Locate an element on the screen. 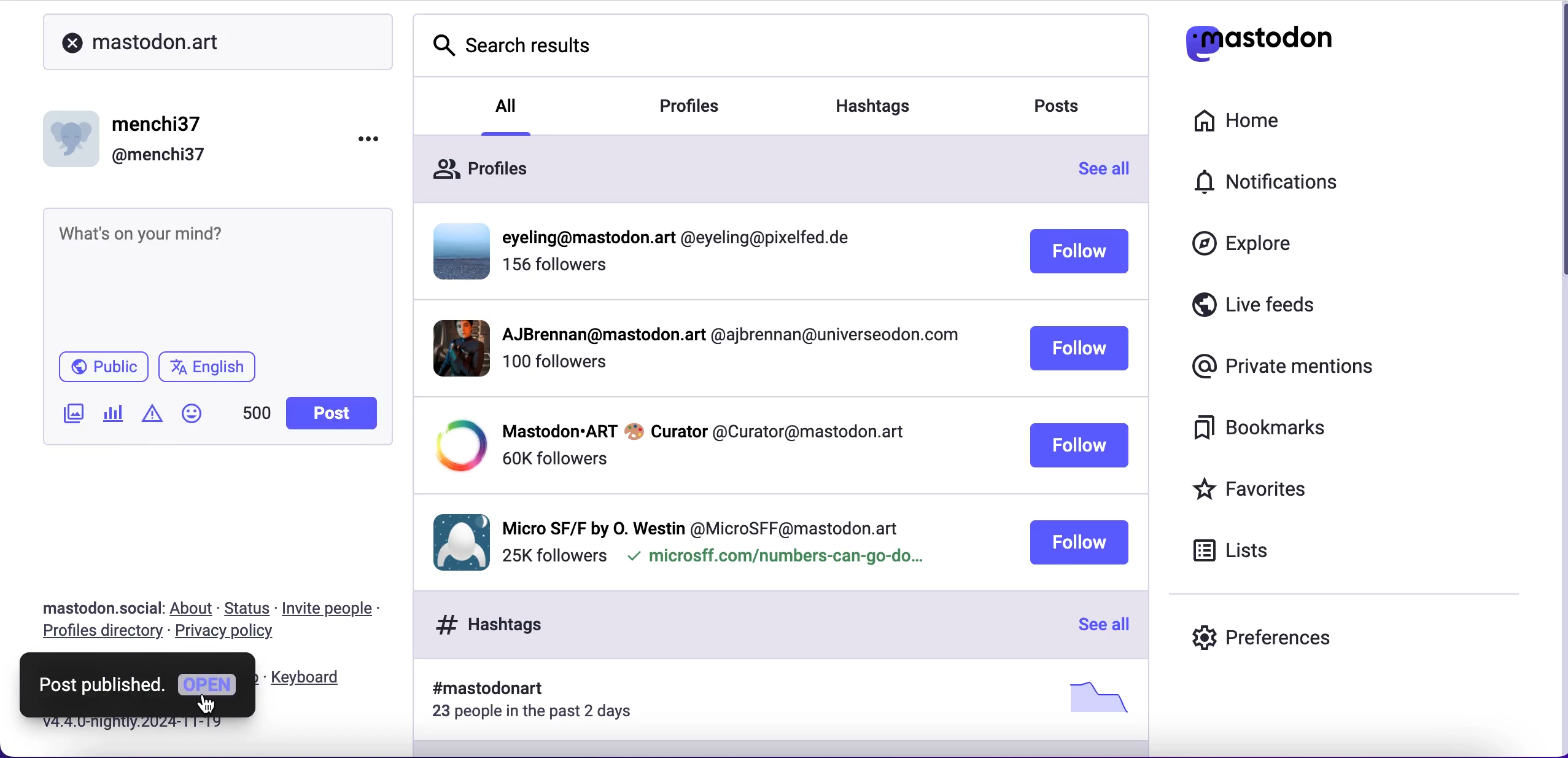 This screenshot has width=1568, height=758. open is located at coordinates (208, 686).